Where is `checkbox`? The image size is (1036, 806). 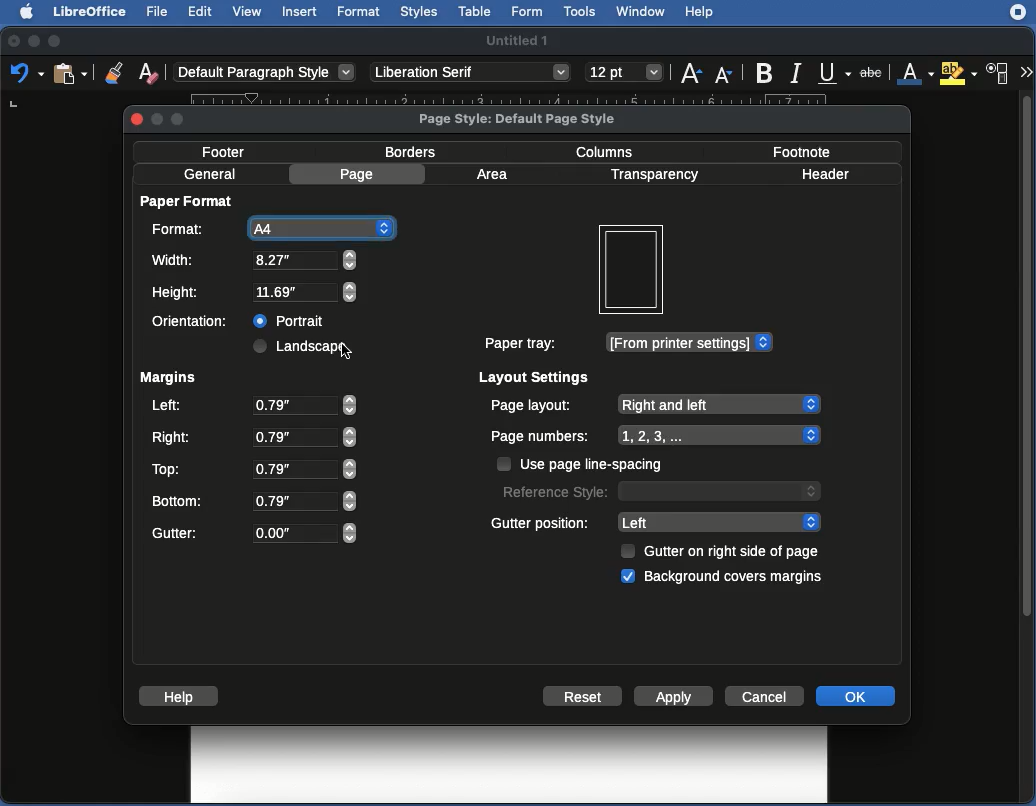 checkbox is located at coordinates (628, 551).